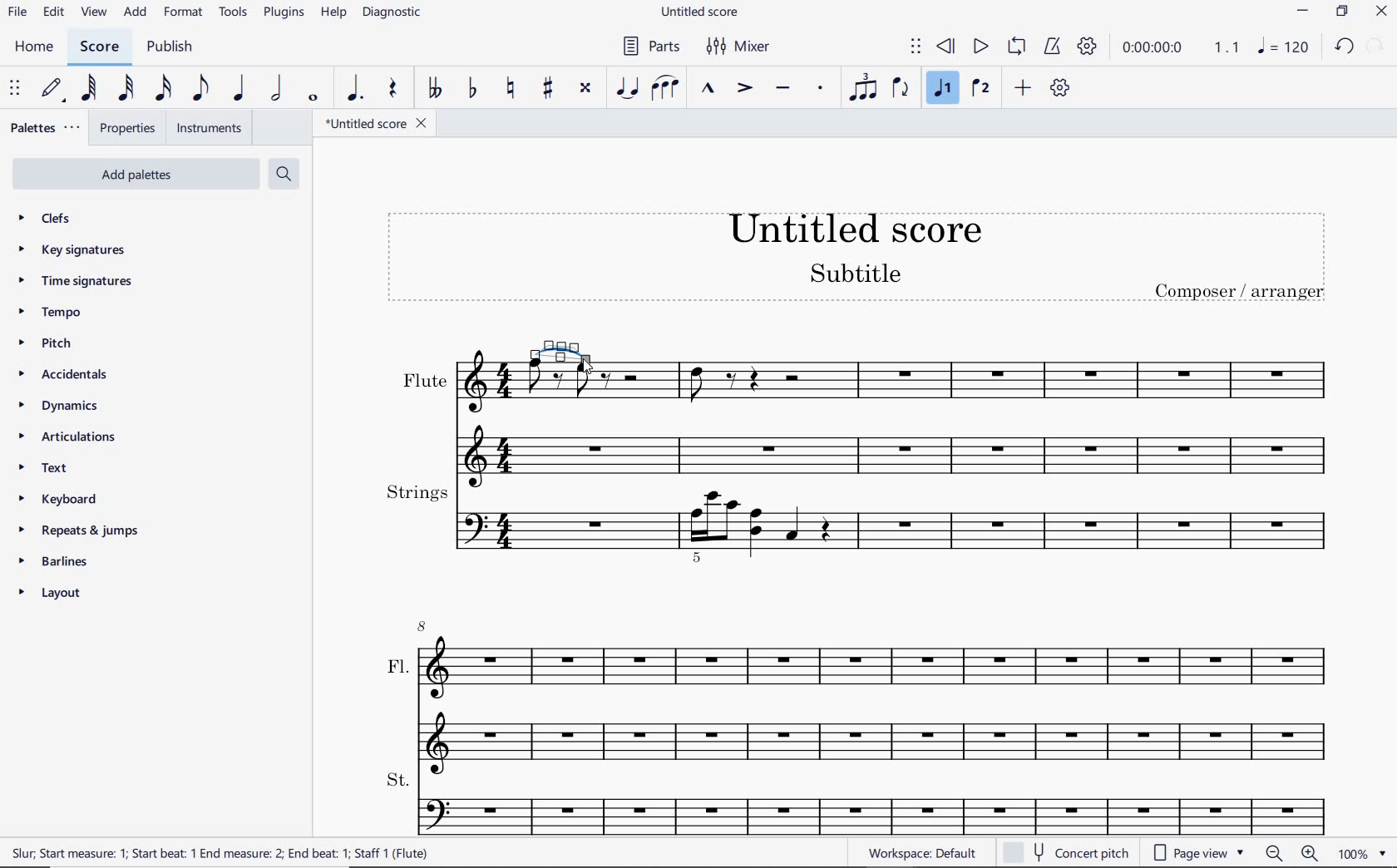 Image resolution: width=1397 pixels, height=868 pixels. I want to click on REWIND, so click(946, 46).